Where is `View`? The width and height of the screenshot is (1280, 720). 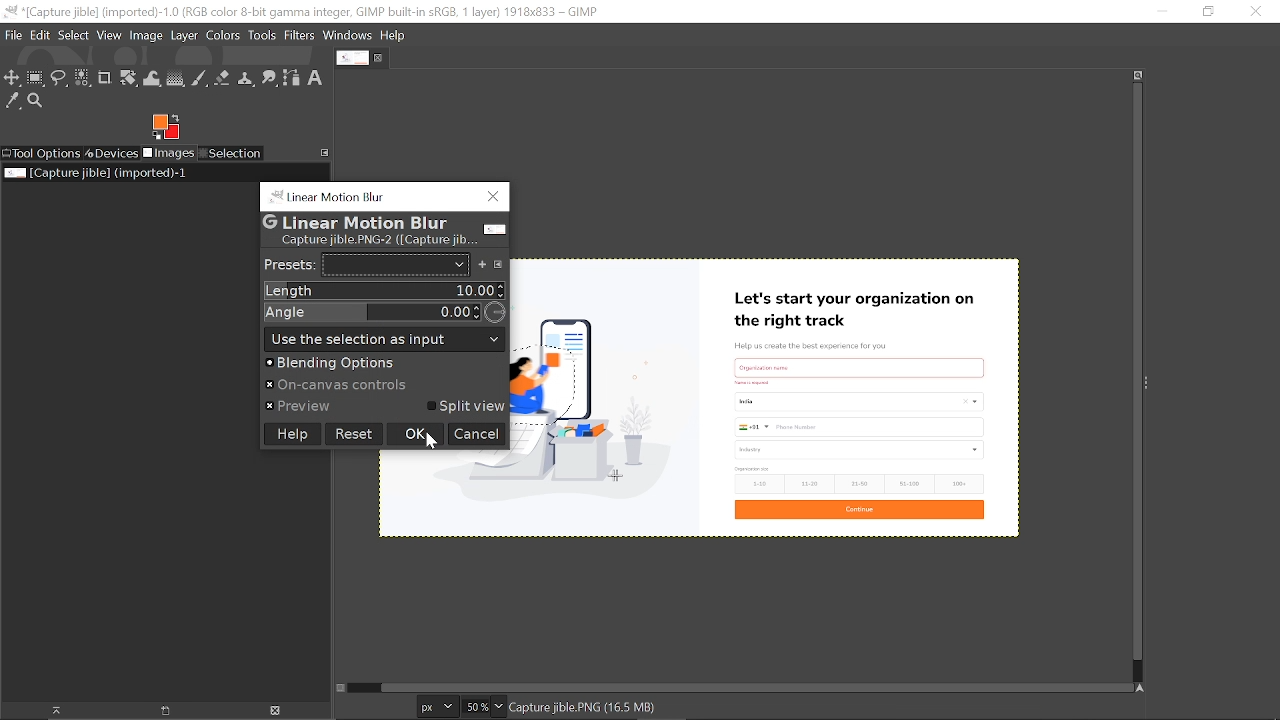 View is located at coordinates (110, 35).